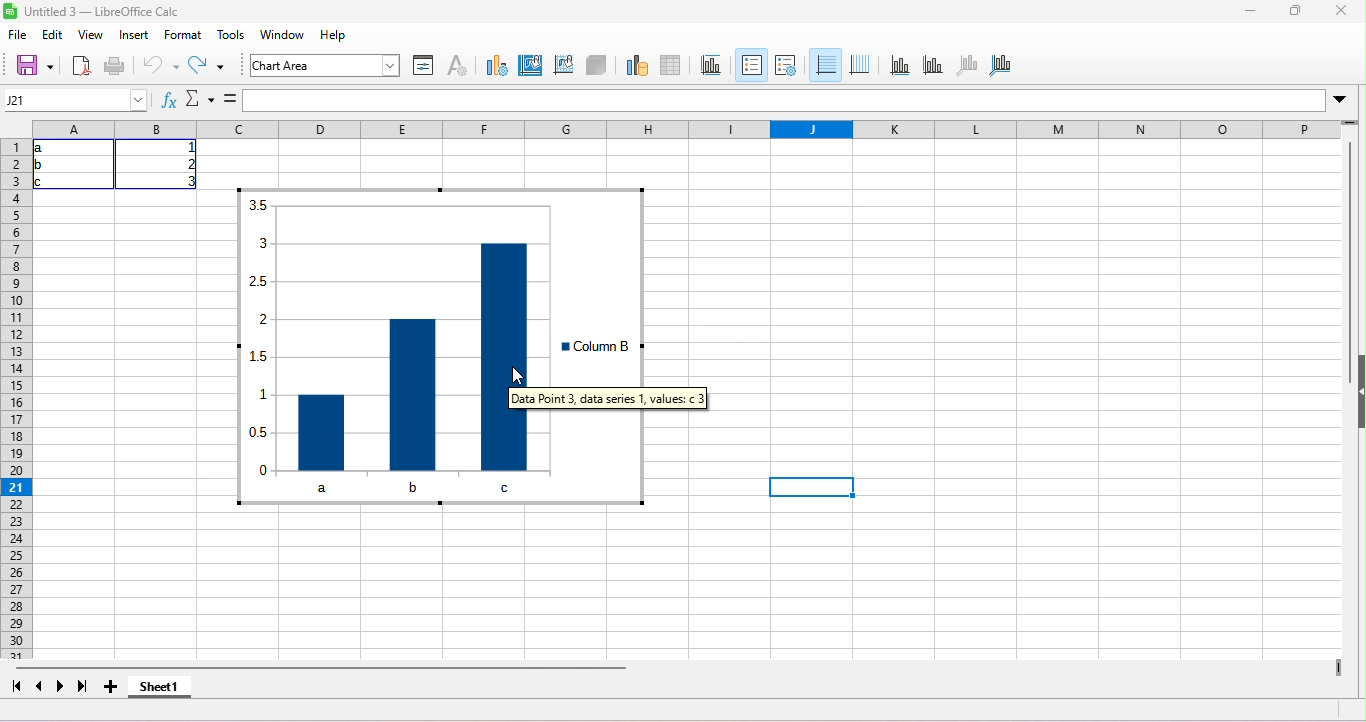  What do you see at coordinates (507, 486) in the screenshot?
I see `c` at bounding box center [507, 486].